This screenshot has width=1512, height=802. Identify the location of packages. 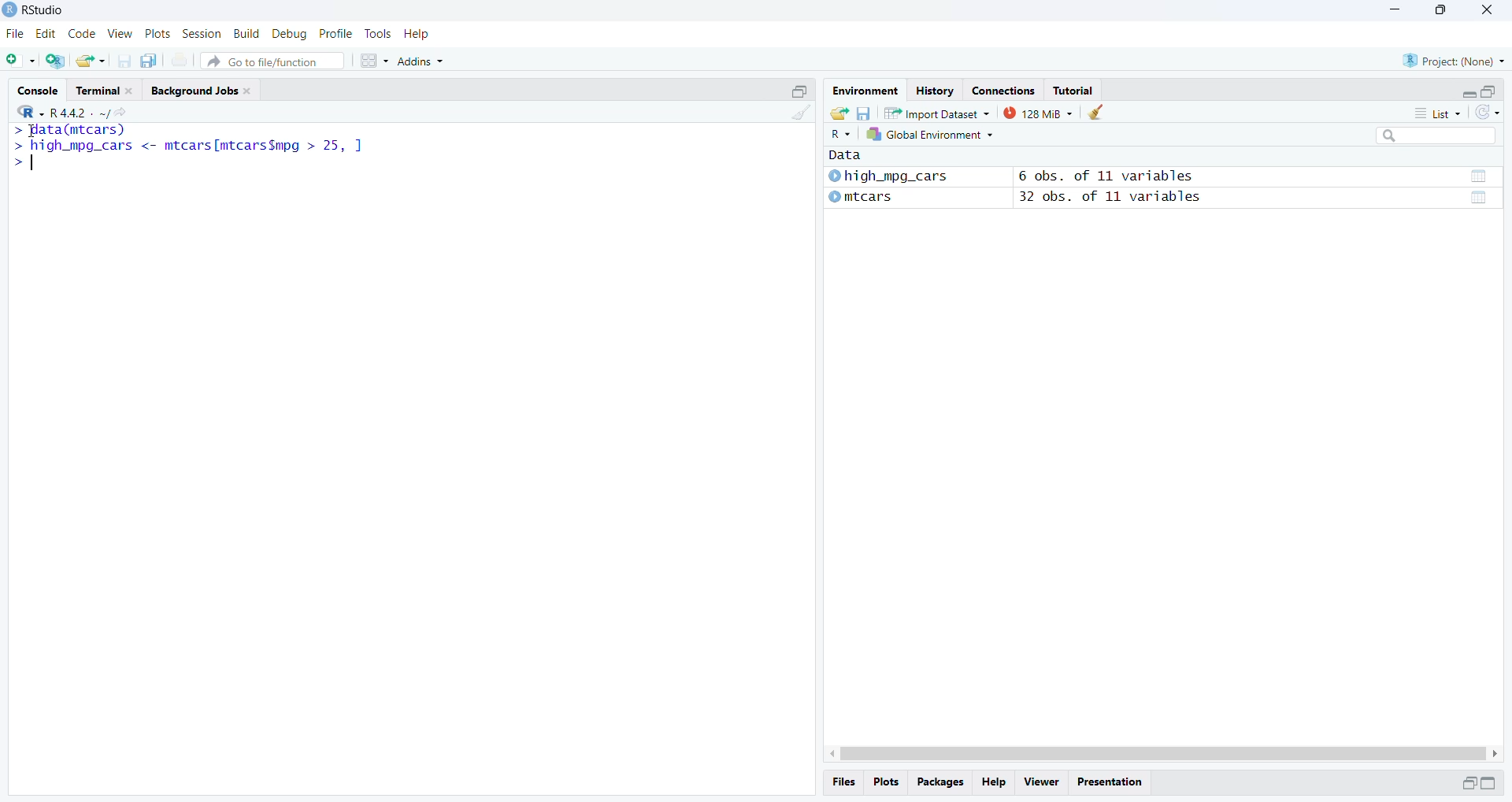
(939, 783).